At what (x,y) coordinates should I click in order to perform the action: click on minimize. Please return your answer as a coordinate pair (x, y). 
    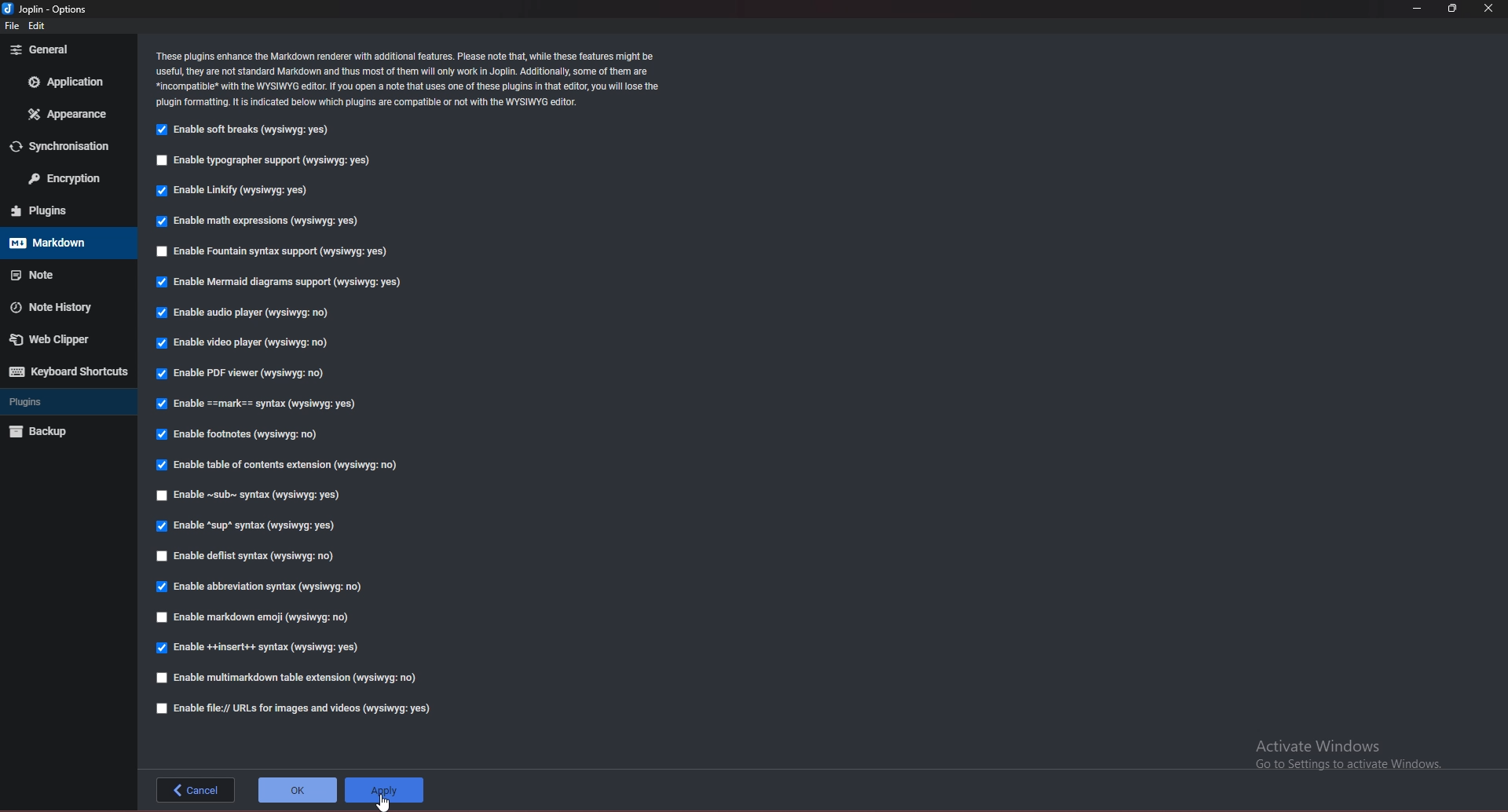
    Looking at the image, I should click on (1420, 9).